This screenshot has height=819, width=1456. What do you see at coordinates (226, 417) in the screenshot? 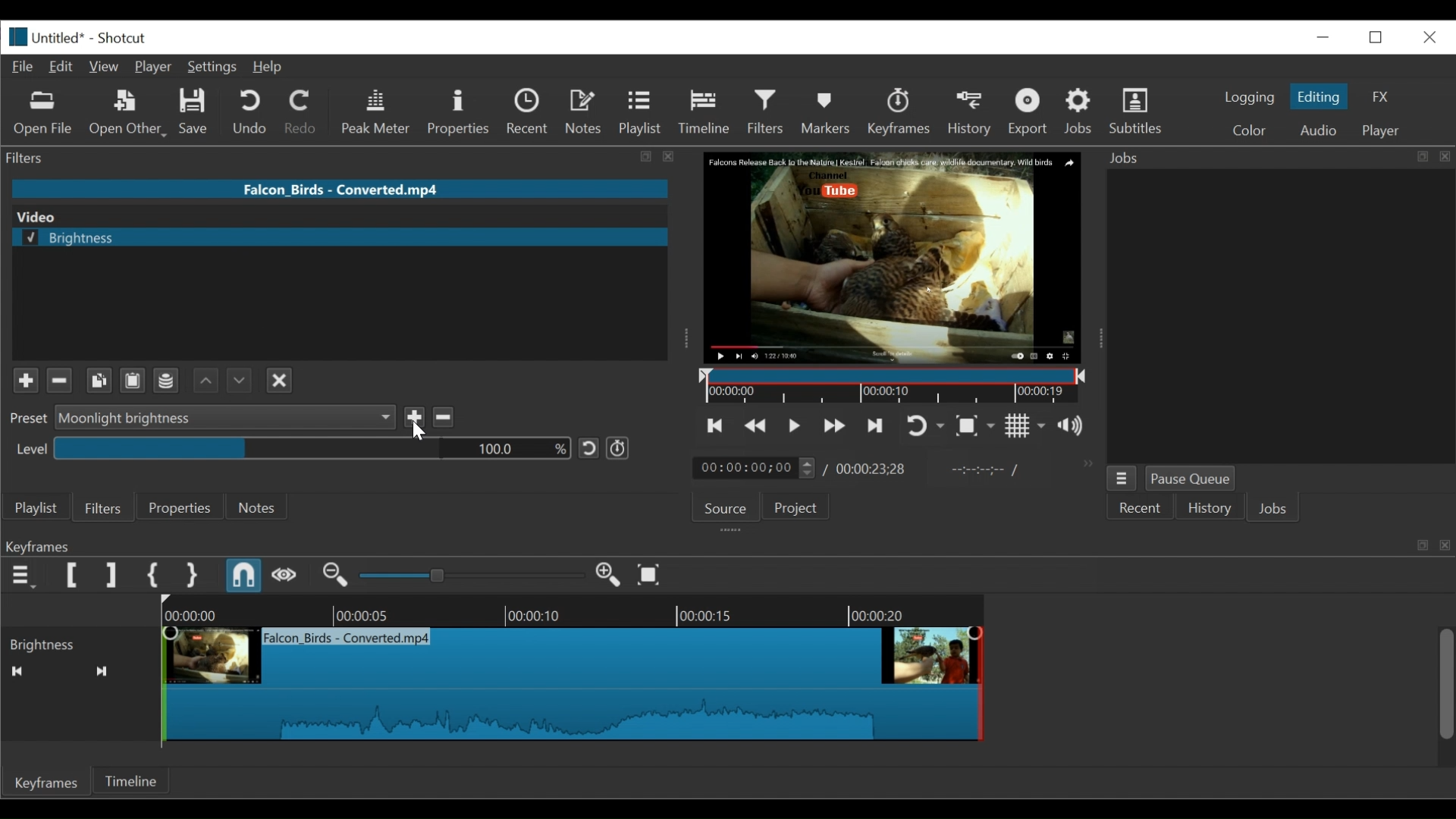
I see `Preset dropdown menu` at bounding box center [226, 417].